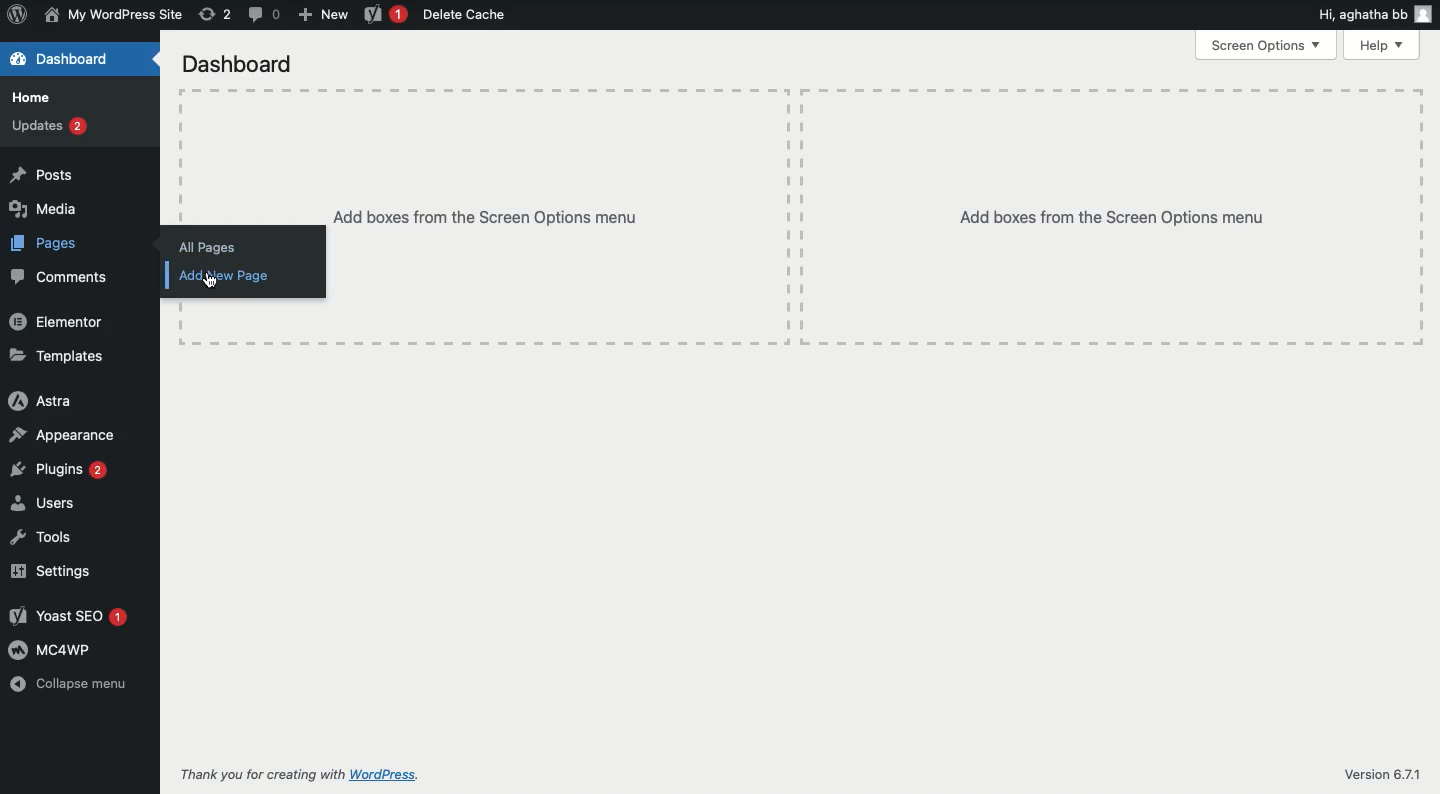 The image size is (1440, 794). What do you see at coordinates (803, 345) in the screenshot?
I see `Table line` at bounding box center [803, 345].